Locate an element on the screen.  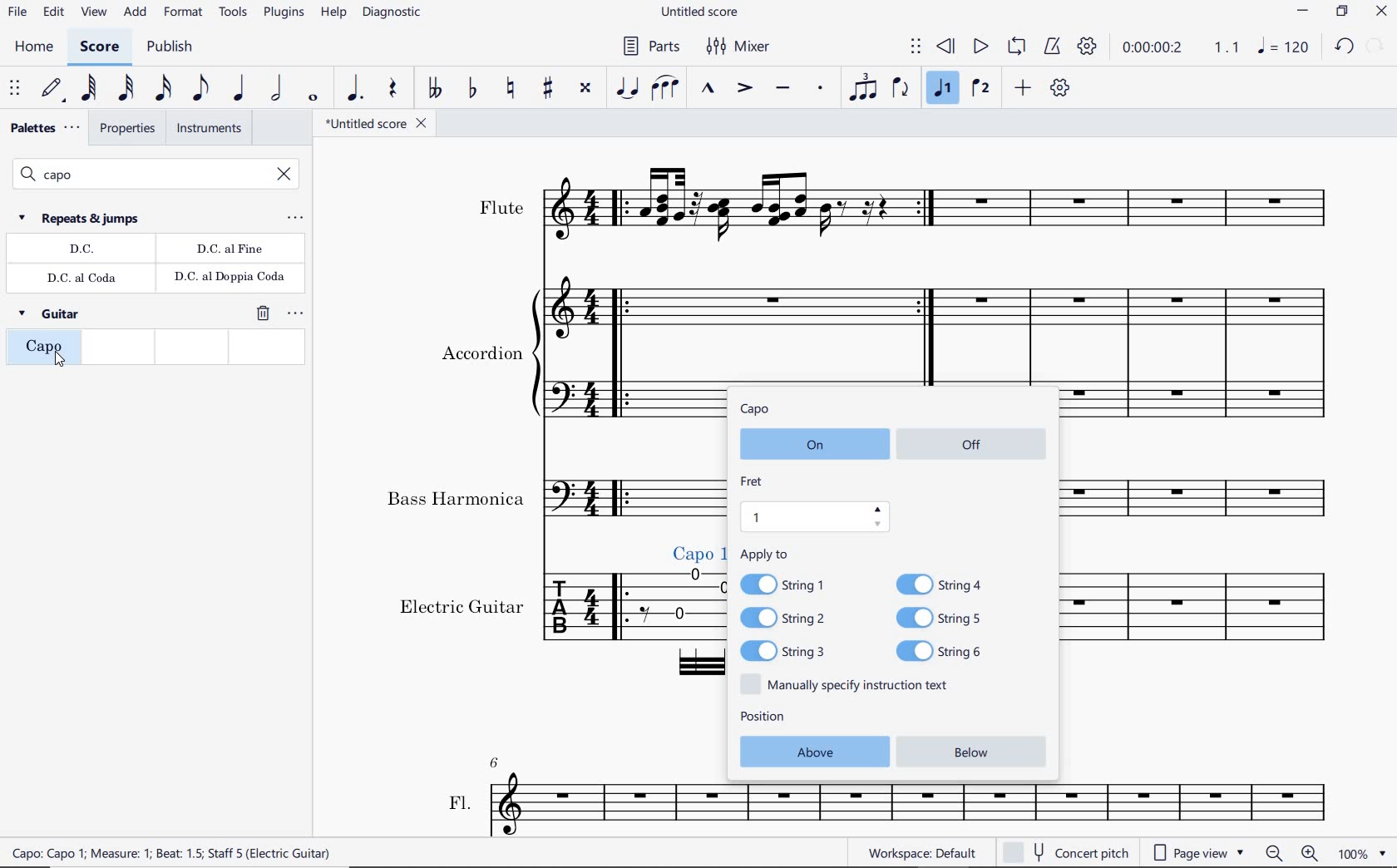
Instrument: Flute is located at coordinates (906, 206).